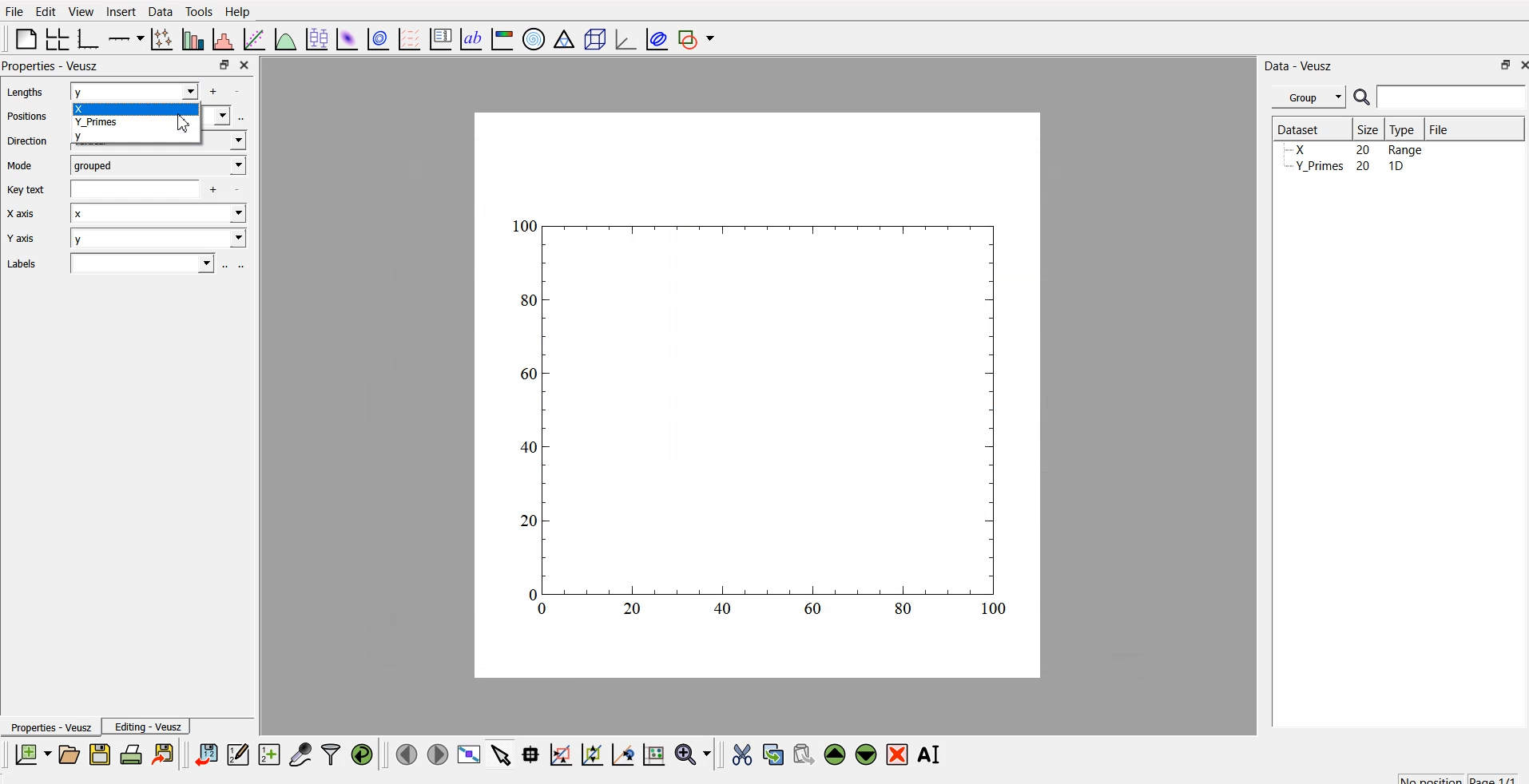 This screenshot has height=784, width=1529. What do you see at coordinates (1519, 66) in the screenshot?
I see `close` at bounding box center [1519, 66].